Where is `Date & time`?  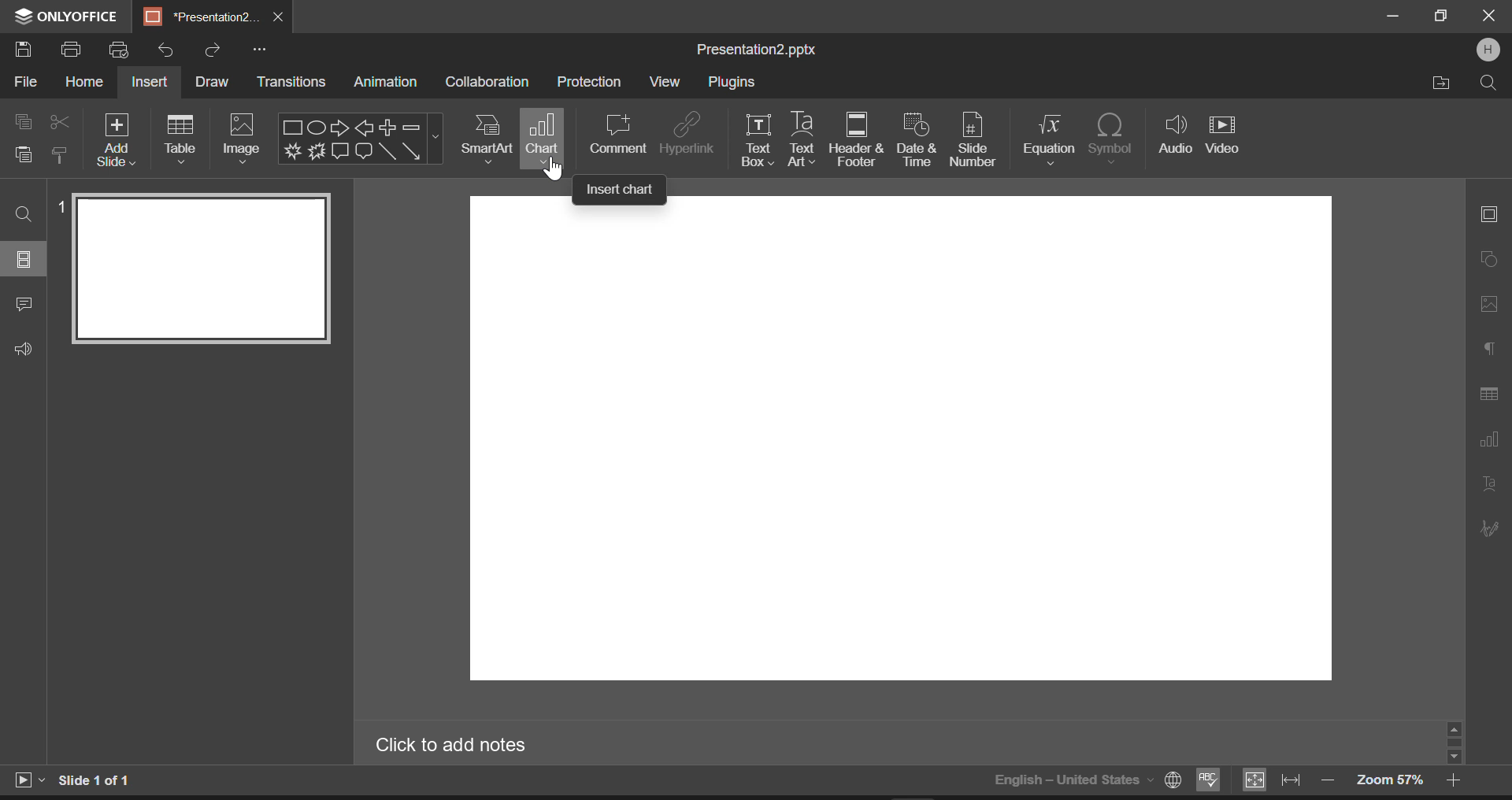
Date & time is located at coordinates (917, 139).